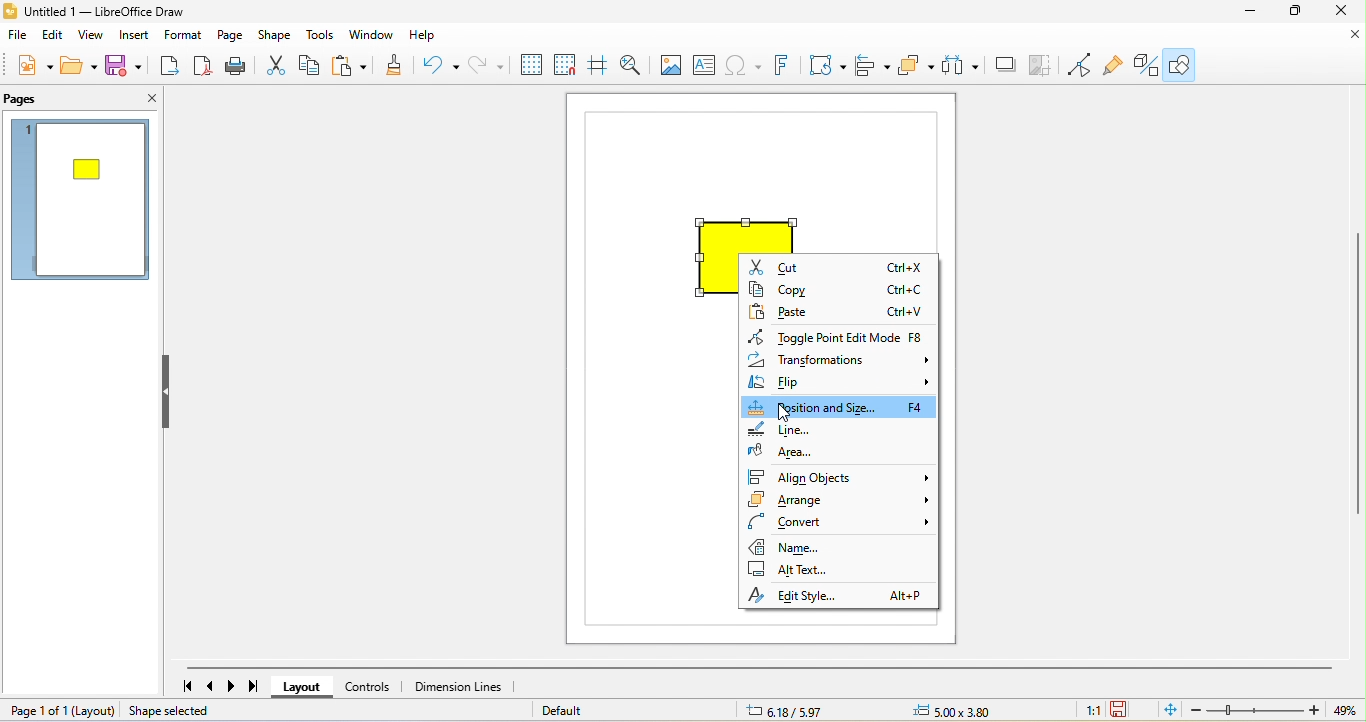  Describe the element at coordinates (1244, 12) in the screenshot. I see `minimize` at that location.